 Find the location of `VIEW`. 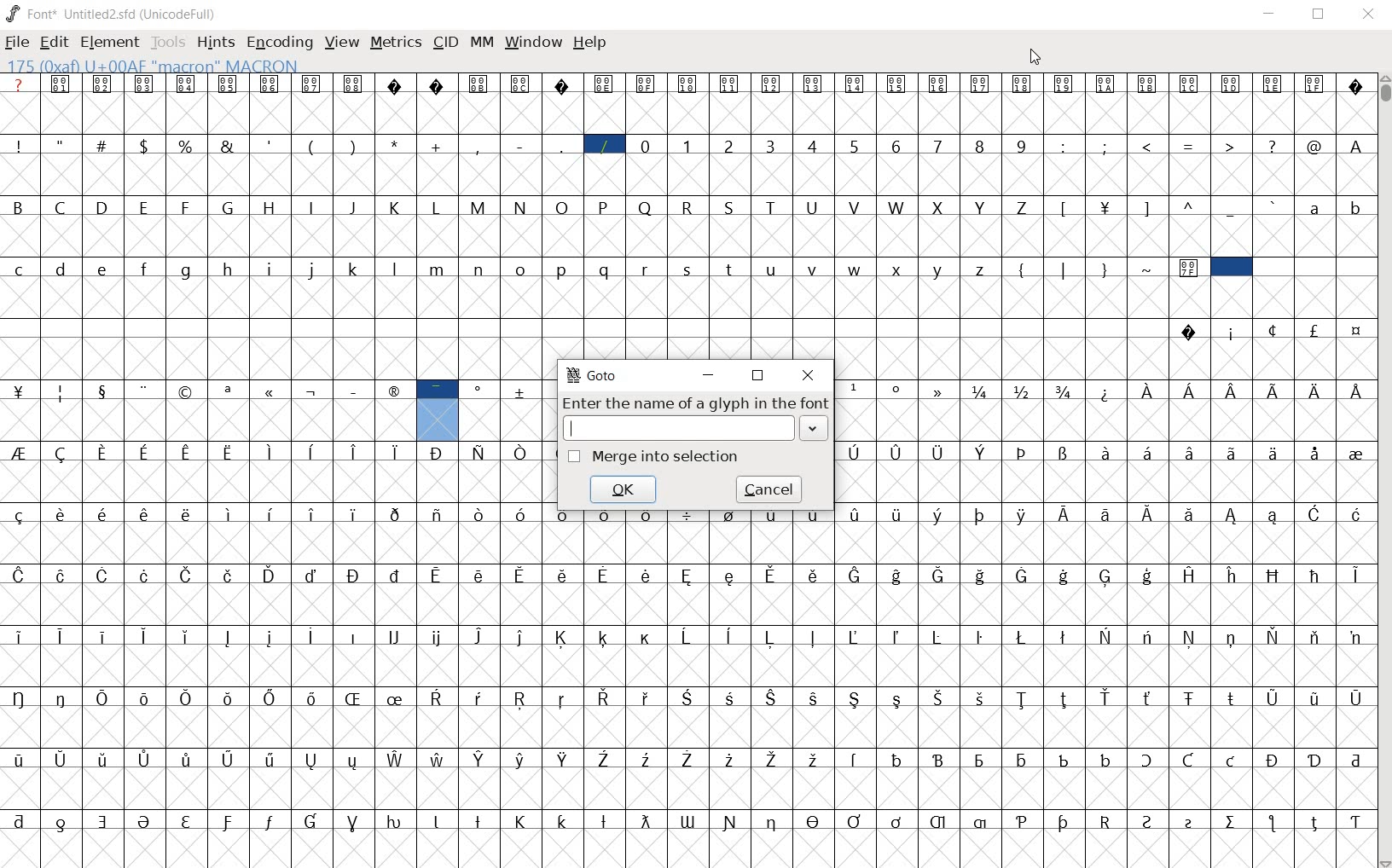

VIEW is located at coordinates (342, 43).